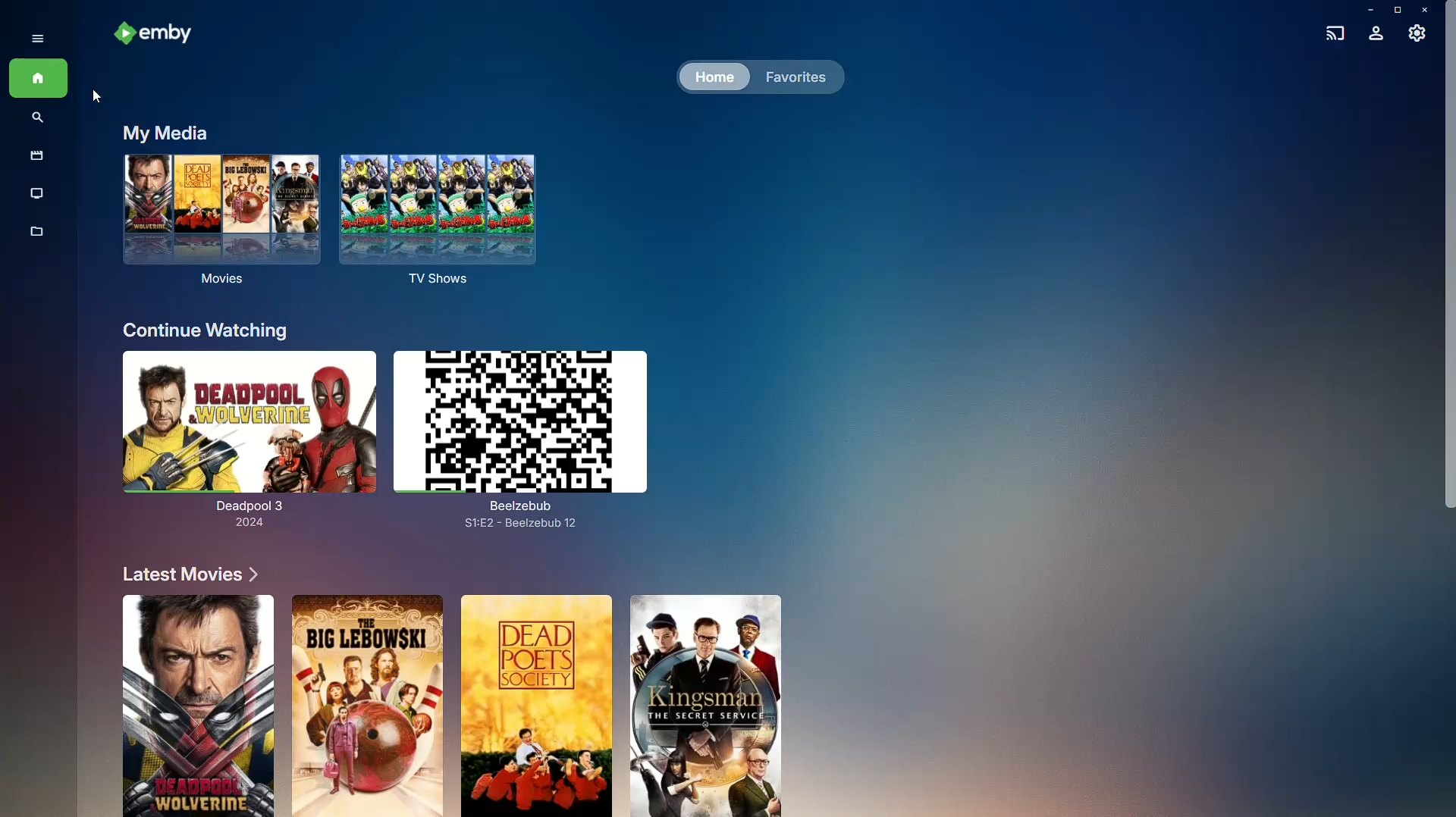  I want to click on Movies, so click(217, 226).